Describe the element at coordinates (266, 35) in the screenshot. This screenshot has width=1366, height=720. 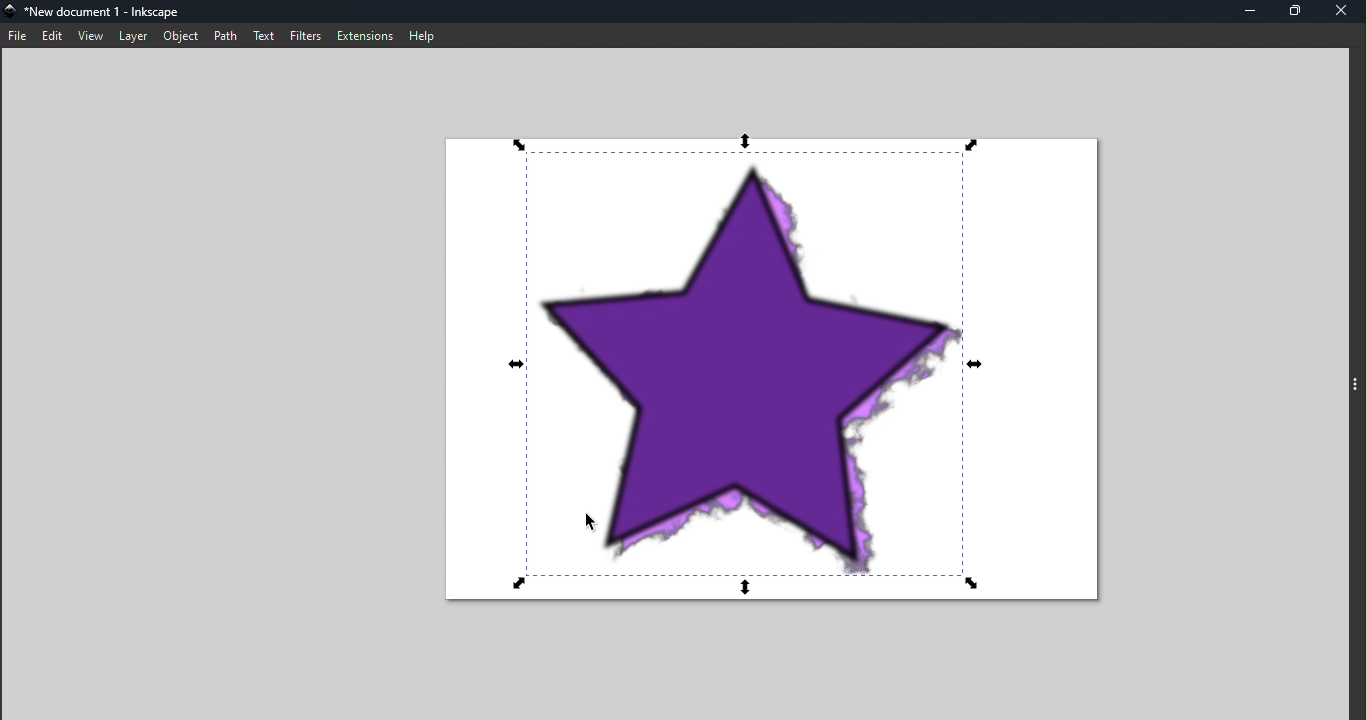
I see `Text` at that location.